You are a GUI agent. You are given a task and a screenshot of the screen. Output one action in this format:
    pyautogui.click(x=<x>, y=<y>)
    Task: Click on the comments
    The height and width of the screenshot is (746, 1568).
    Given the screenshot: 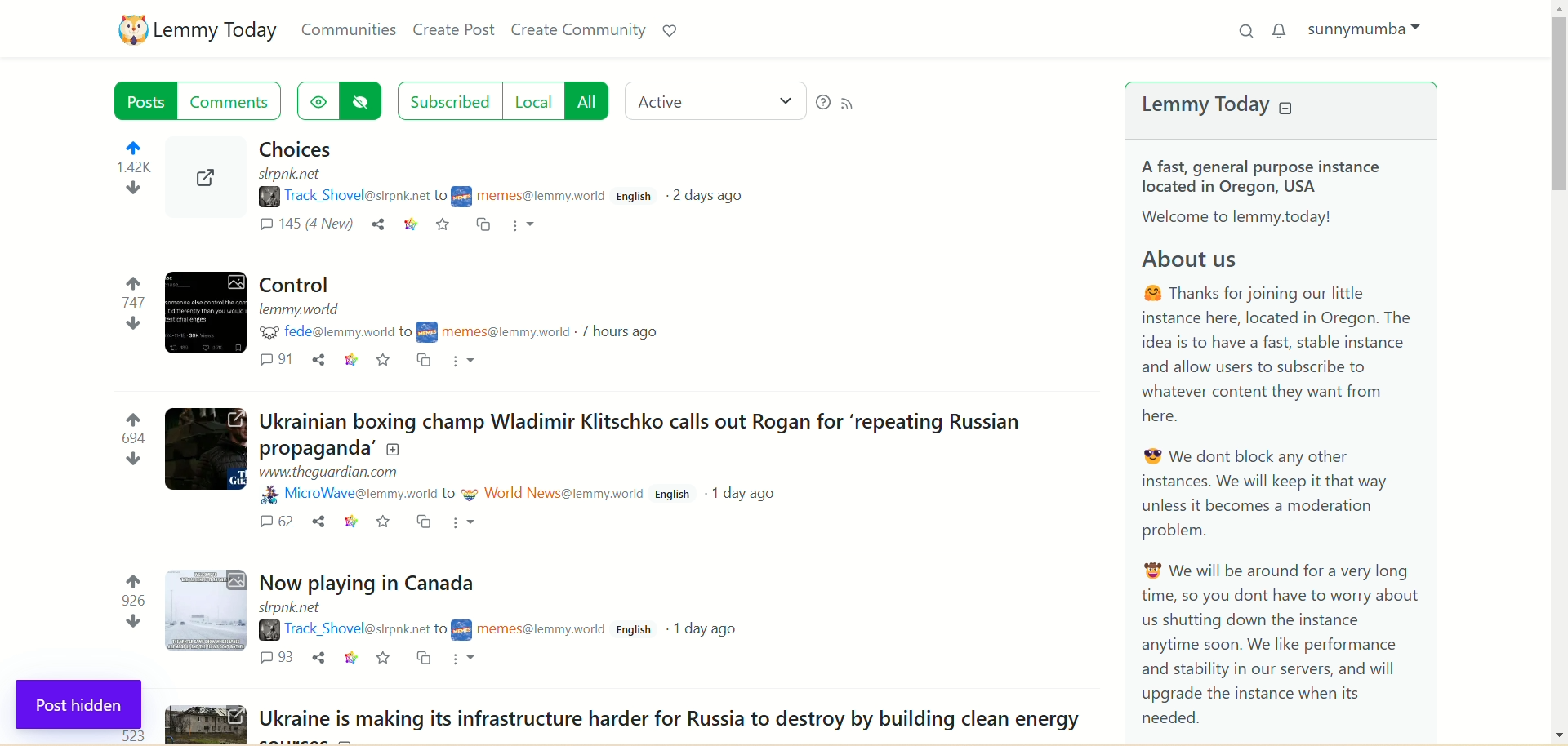 What is the action you would take?
    pyautogui.click(x=237, y=102)
    